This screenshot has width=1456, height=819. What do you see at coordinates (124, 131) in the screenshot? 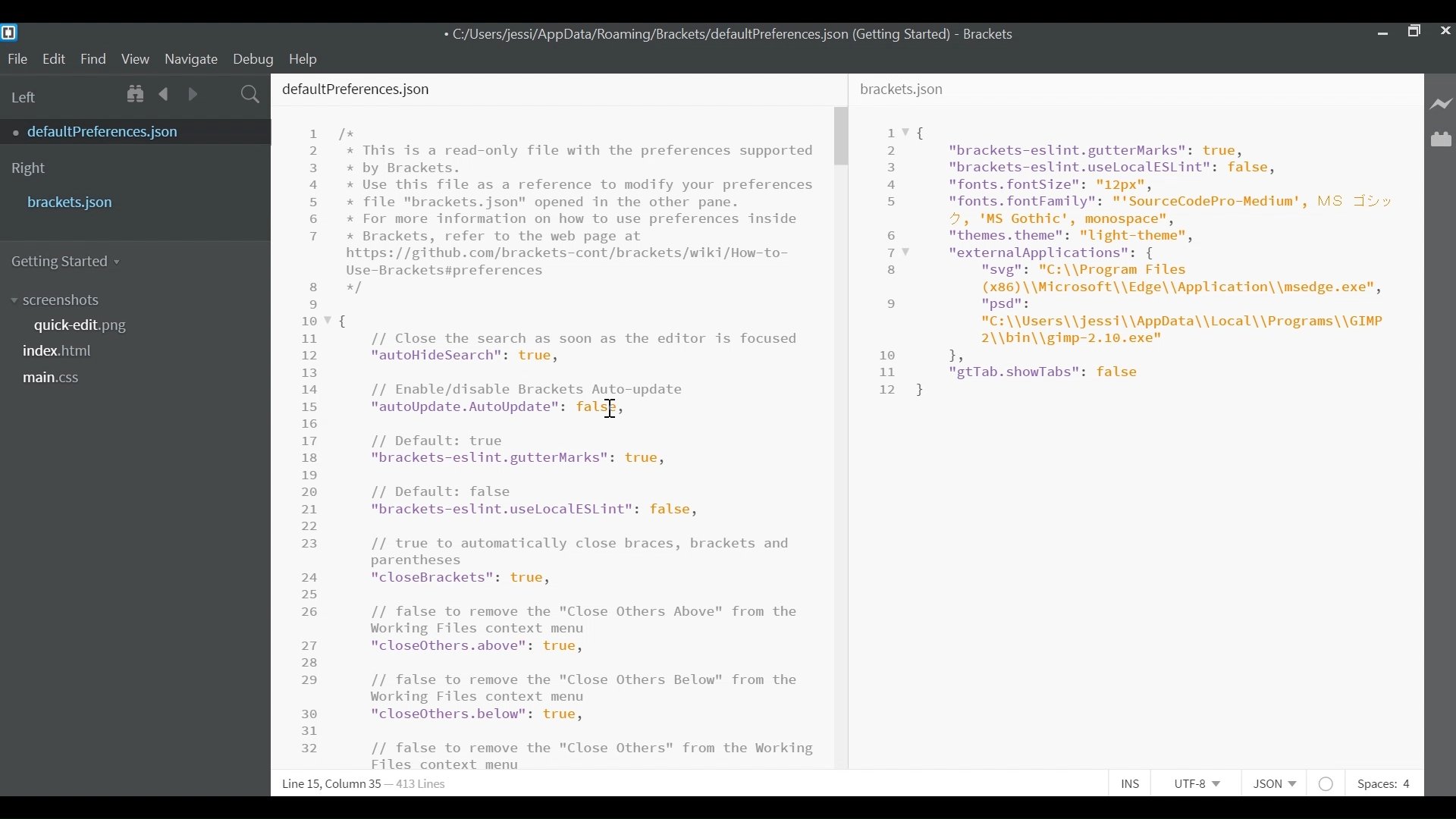
I see `defaultPreferences.json` at bounding box center [124, 131].